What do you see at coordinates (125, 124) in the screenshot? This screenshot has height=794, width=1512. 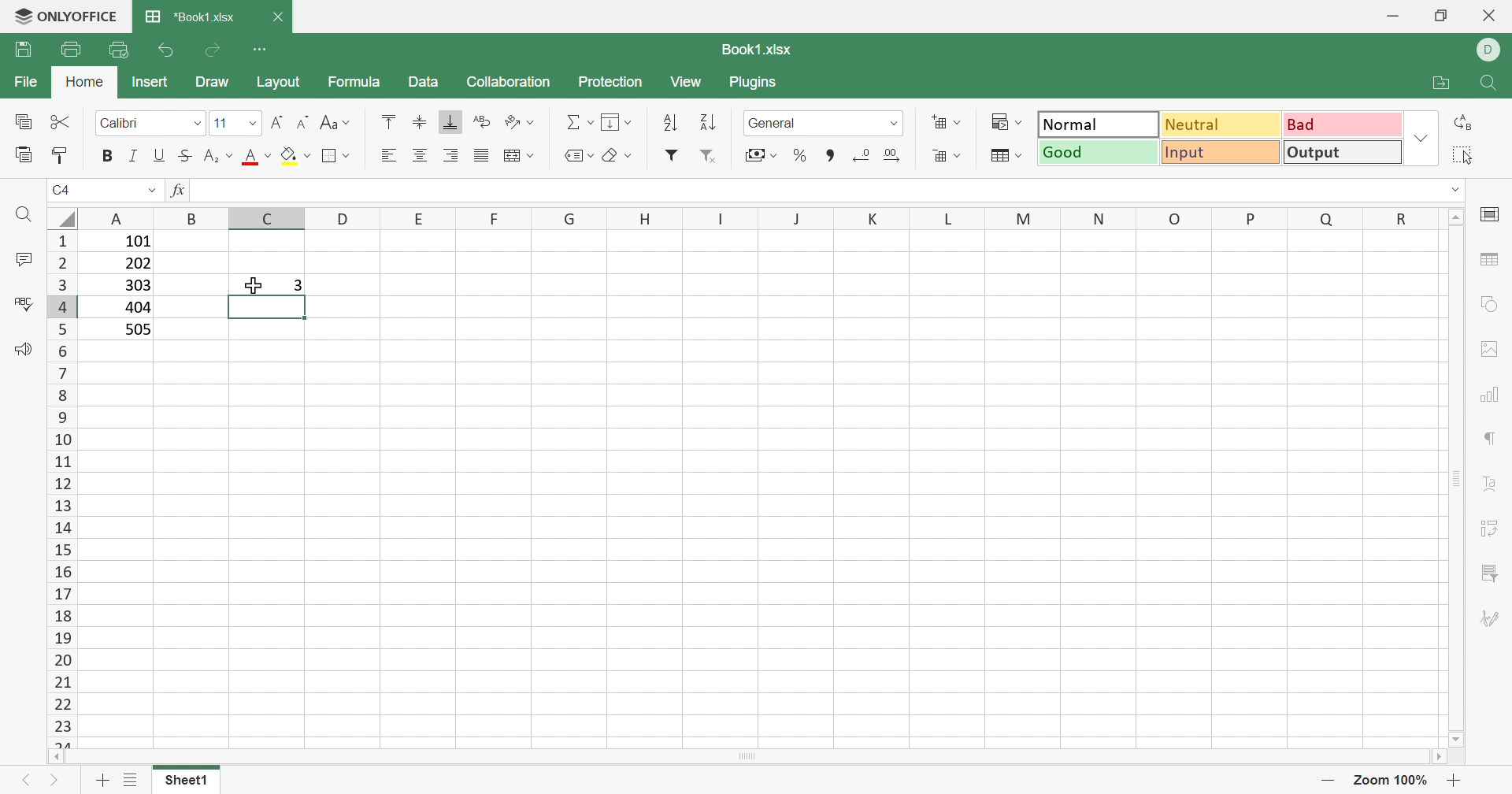 I see `Font` at bounding box center [125, 124].